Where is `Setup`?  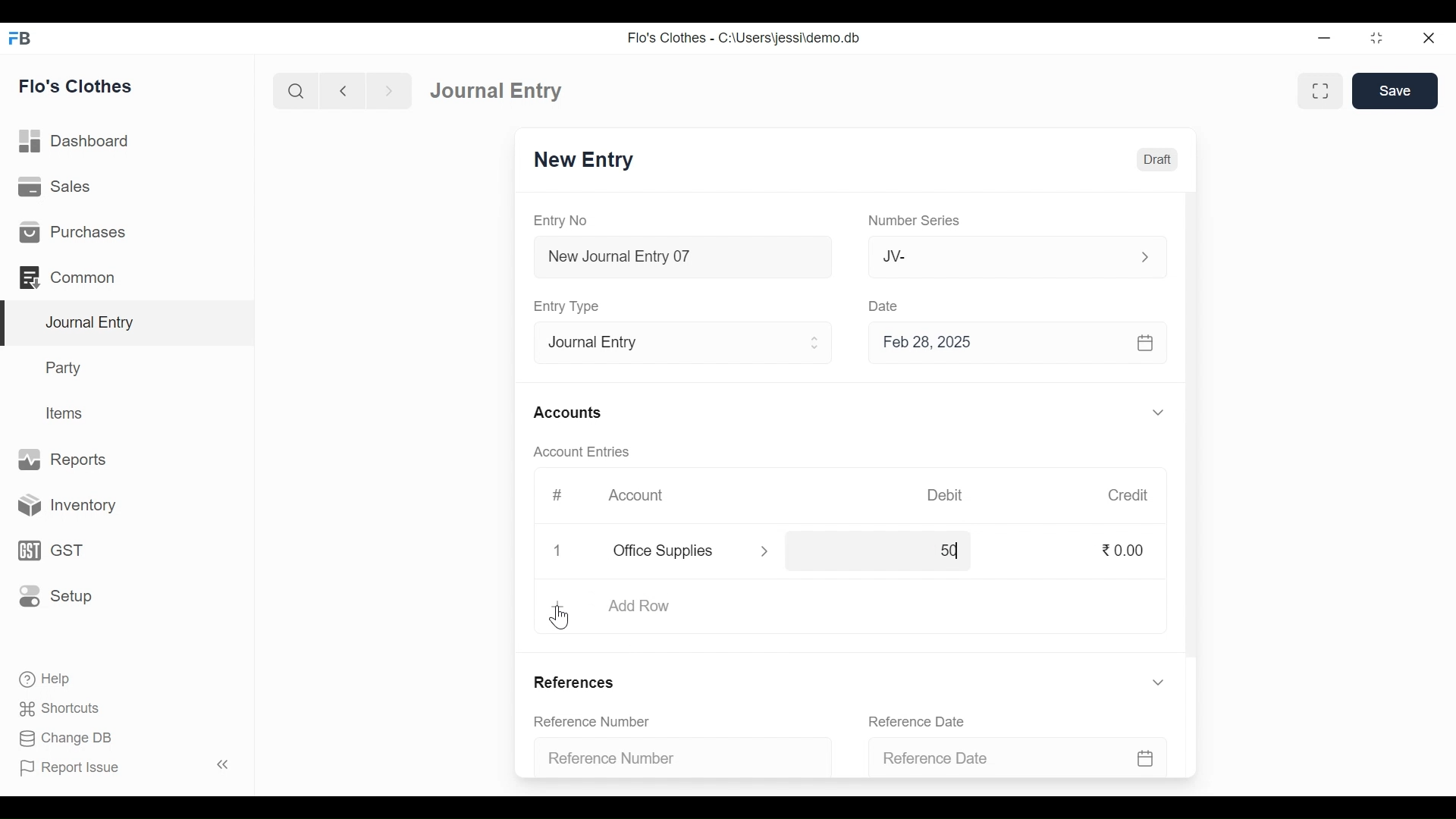
Setup is located at coordinates (55, 595).